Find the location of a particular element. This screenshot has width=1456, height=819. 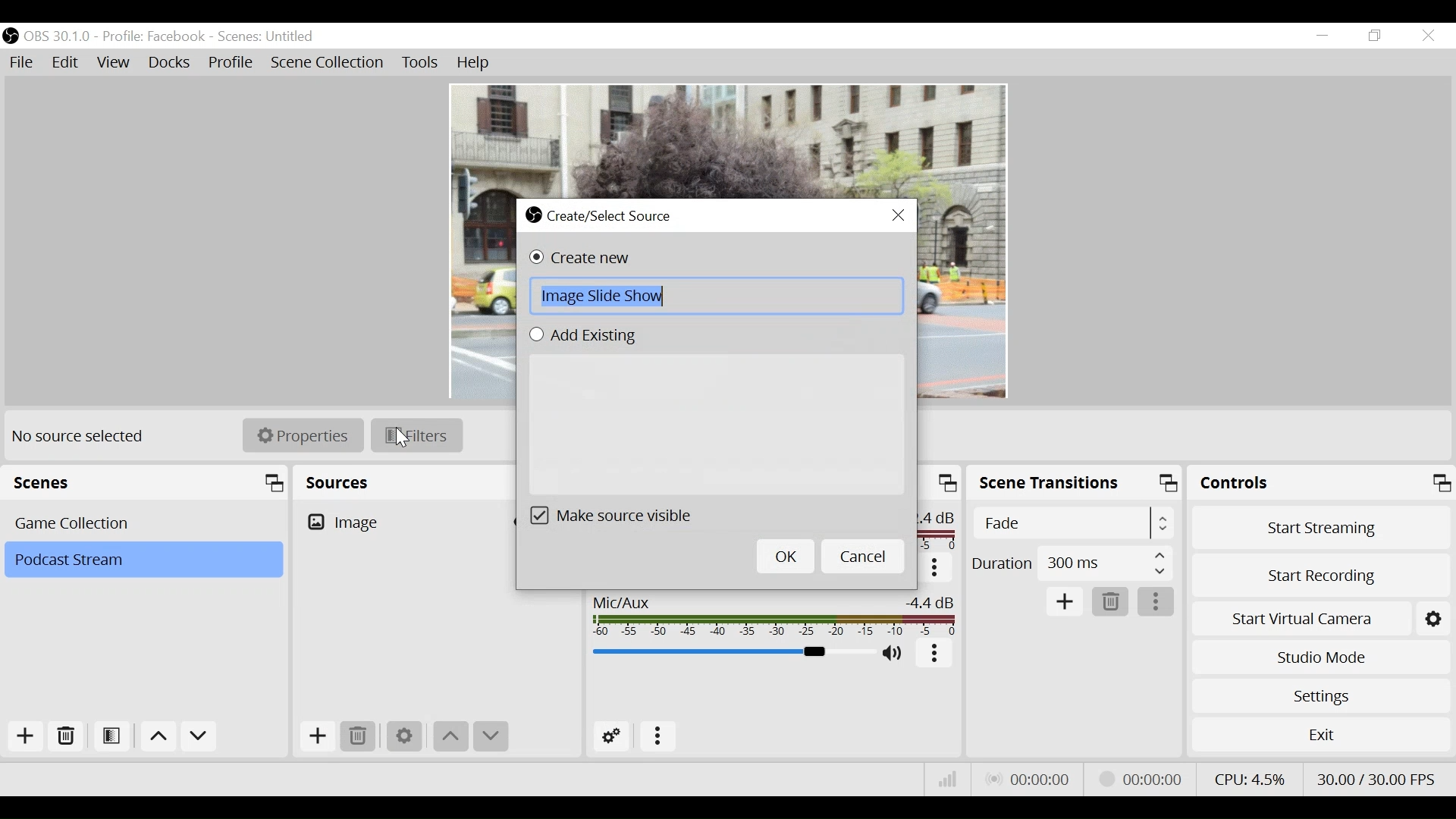

Delete is located at coordinates (1111, 603).